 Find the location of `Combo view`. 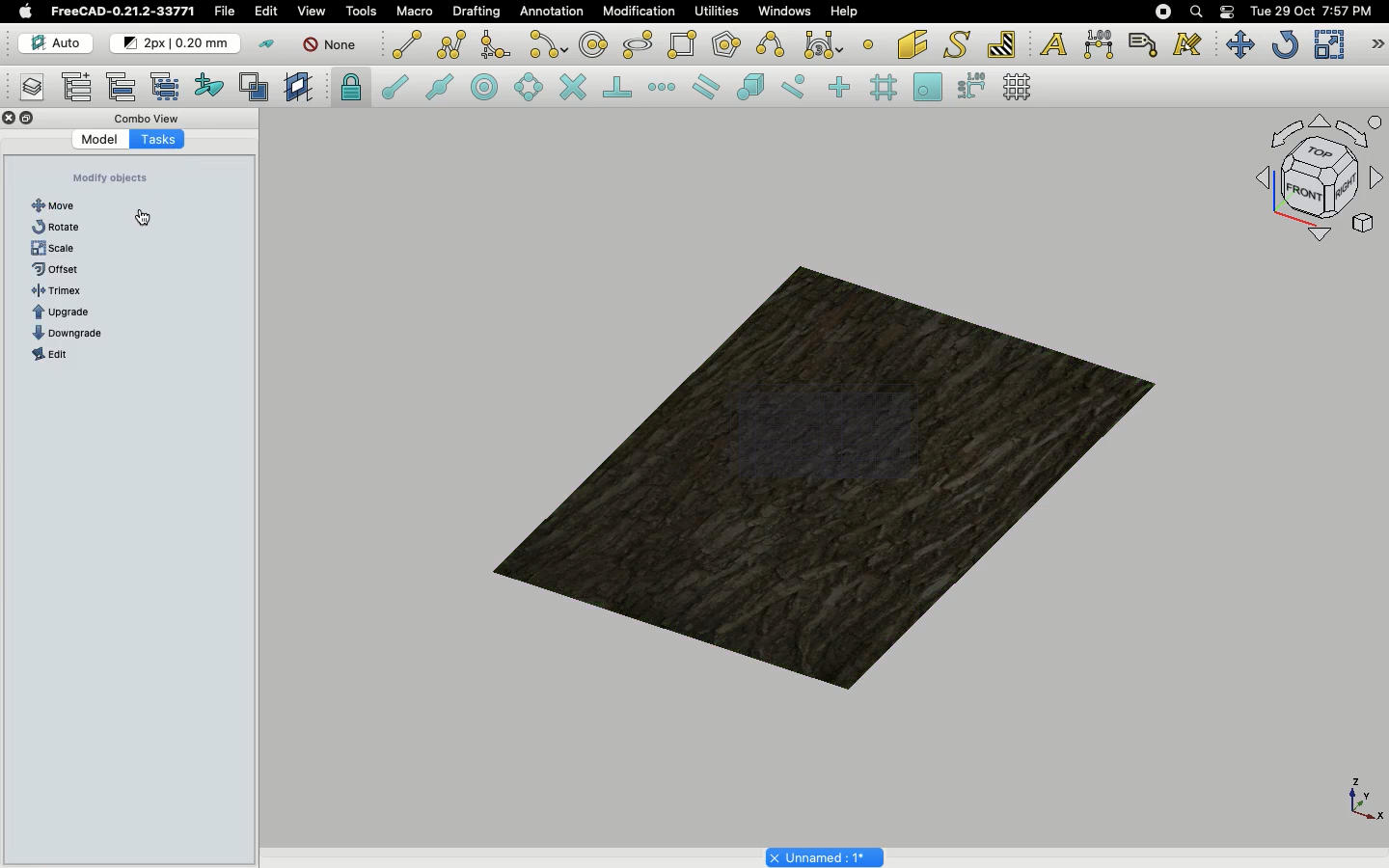

Combo view is located at coordinates (149, 118).